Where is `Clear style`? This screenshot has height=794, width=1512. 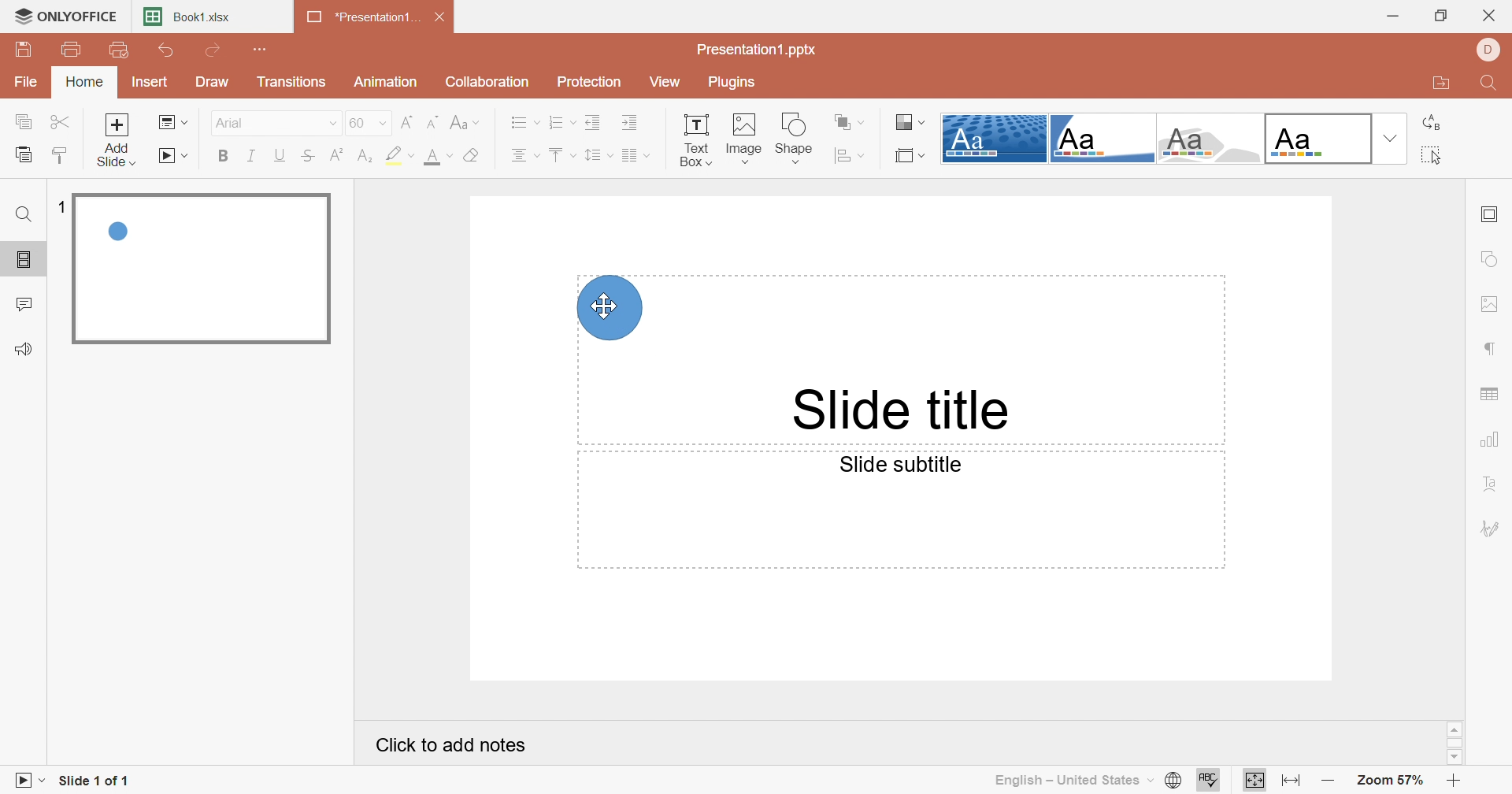
Clear style is located at coordinates (473, 157).